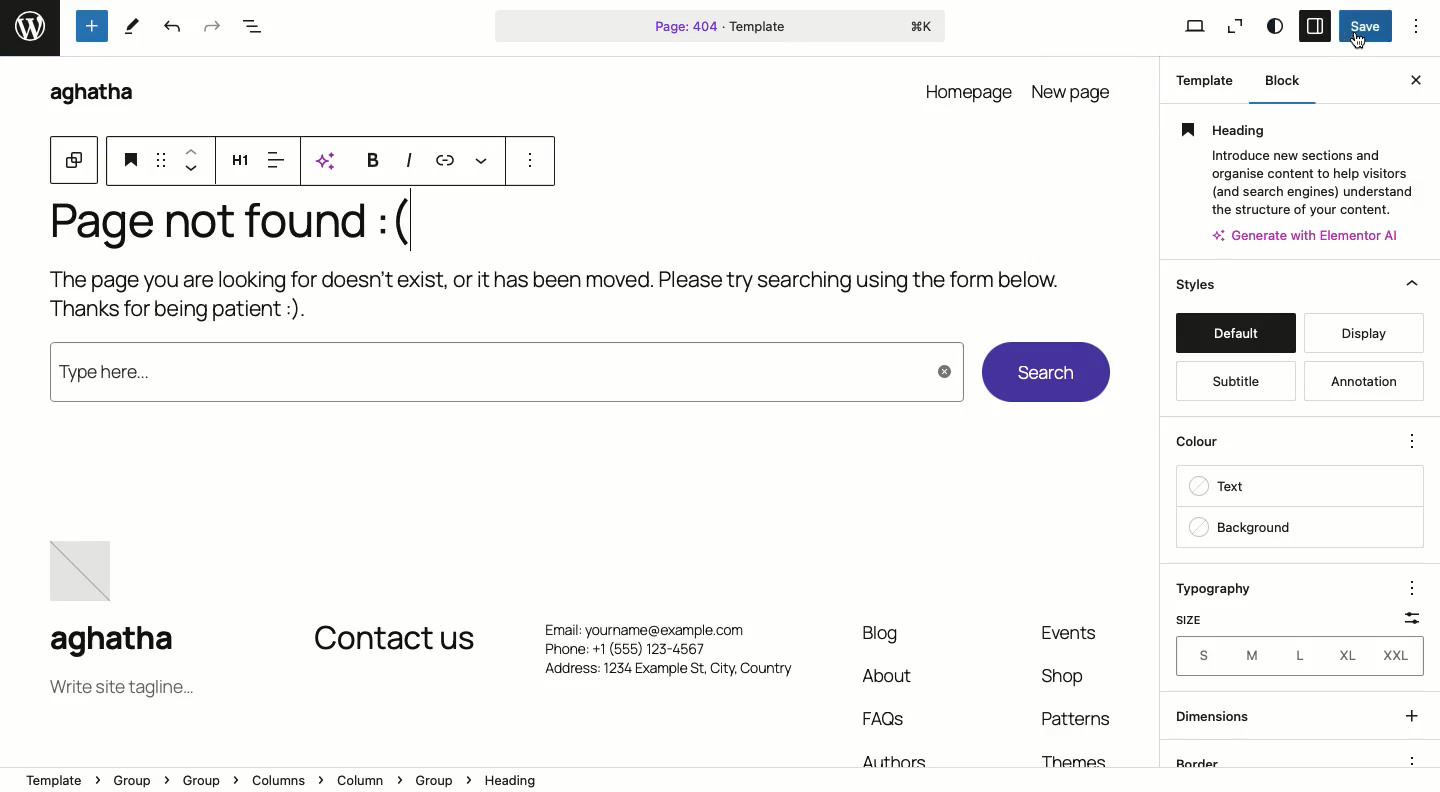 The image size is (1440, 792). What do you see at coordinates (1422, 27) in the screenshot?
I see `Options` at bounding box center [1422, 27].